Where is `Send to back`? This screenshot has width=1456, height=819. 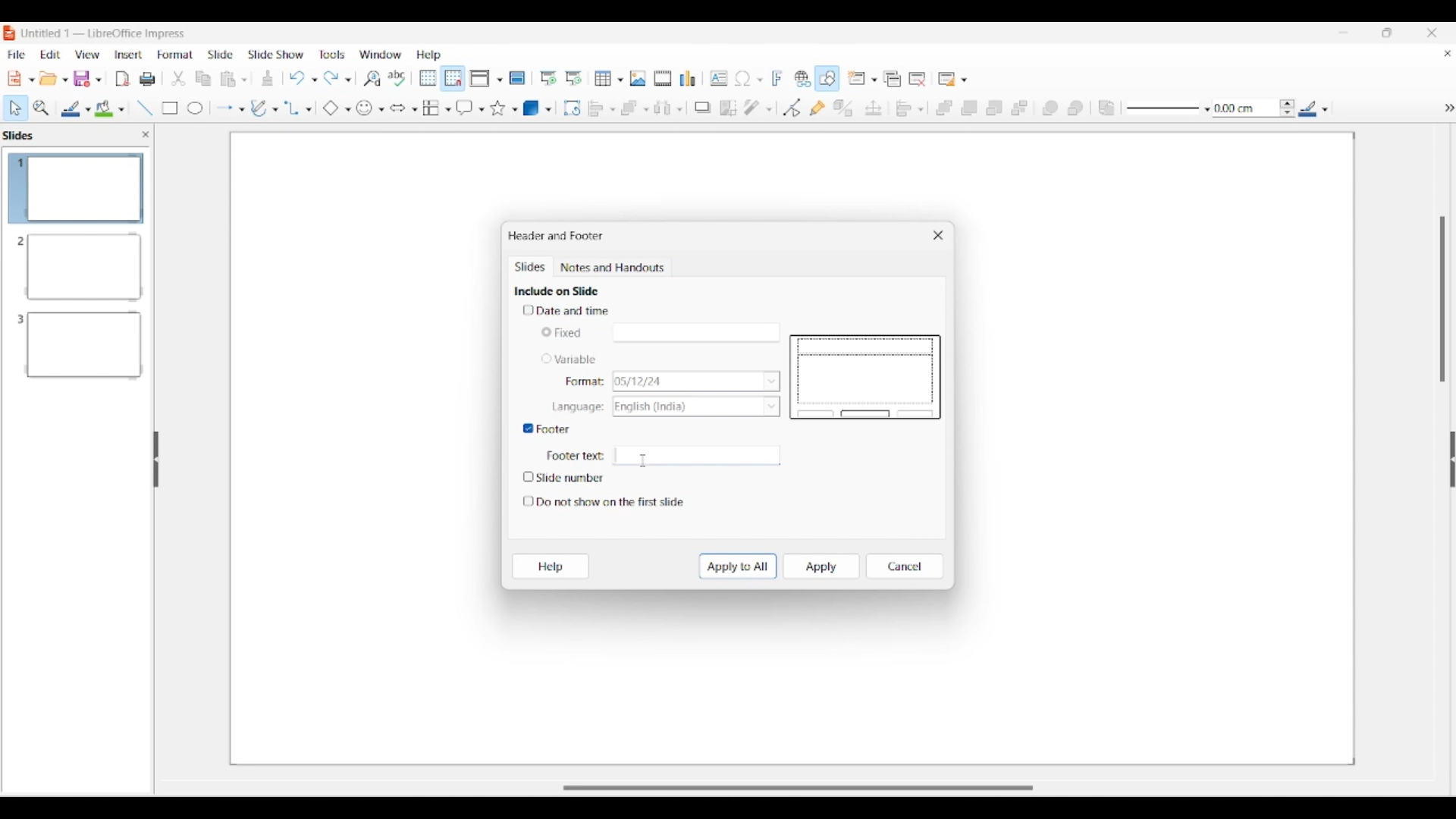
Send to back is located at coordinates (1019, 108).